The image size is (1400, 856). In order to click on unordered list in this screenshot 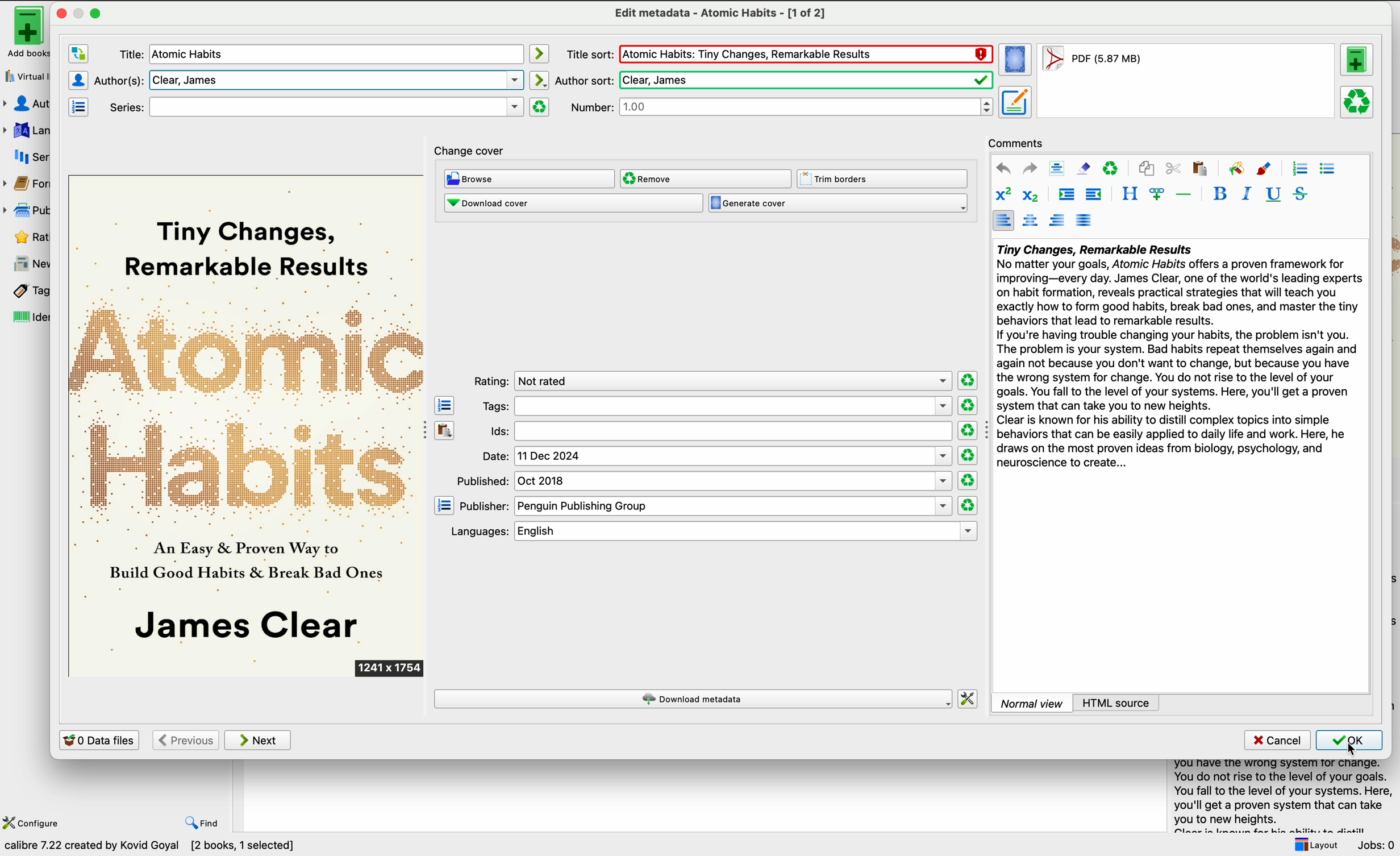, I will do `click(1328, 169)`.